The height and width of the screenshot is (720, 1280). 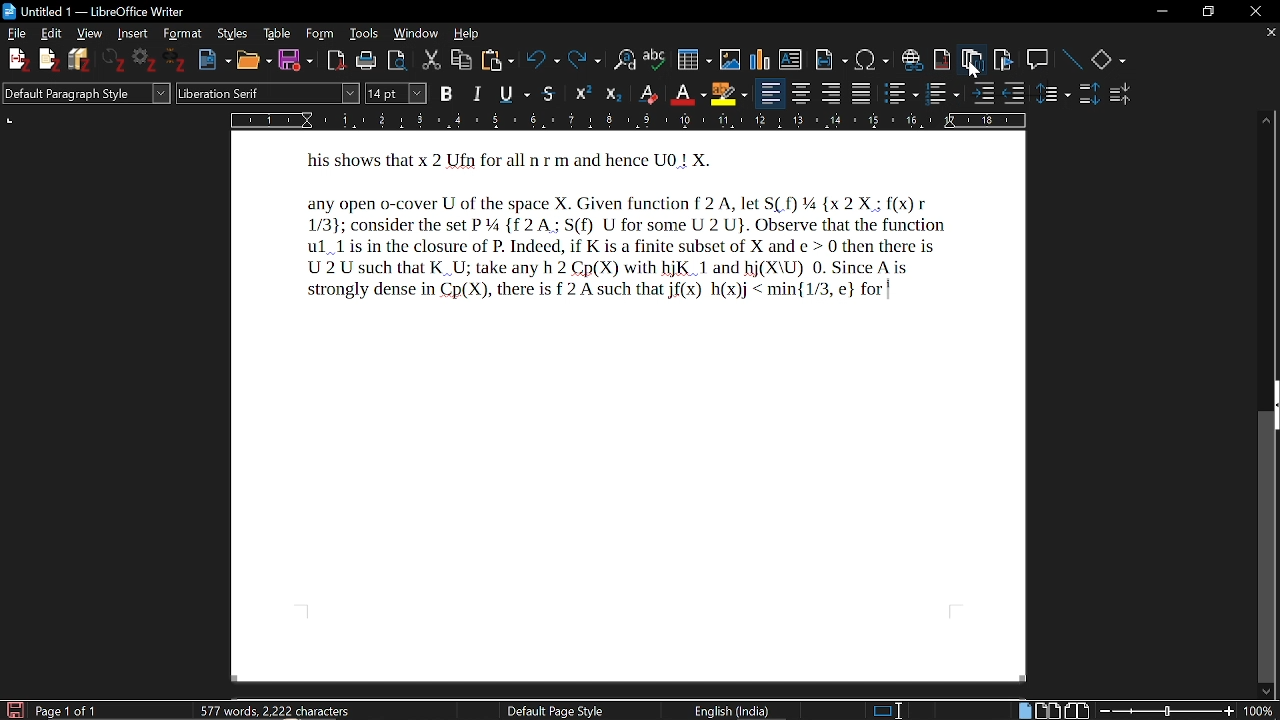 I want to click on untitled 1 - libreoffice writter, so click(x=109, y=11).